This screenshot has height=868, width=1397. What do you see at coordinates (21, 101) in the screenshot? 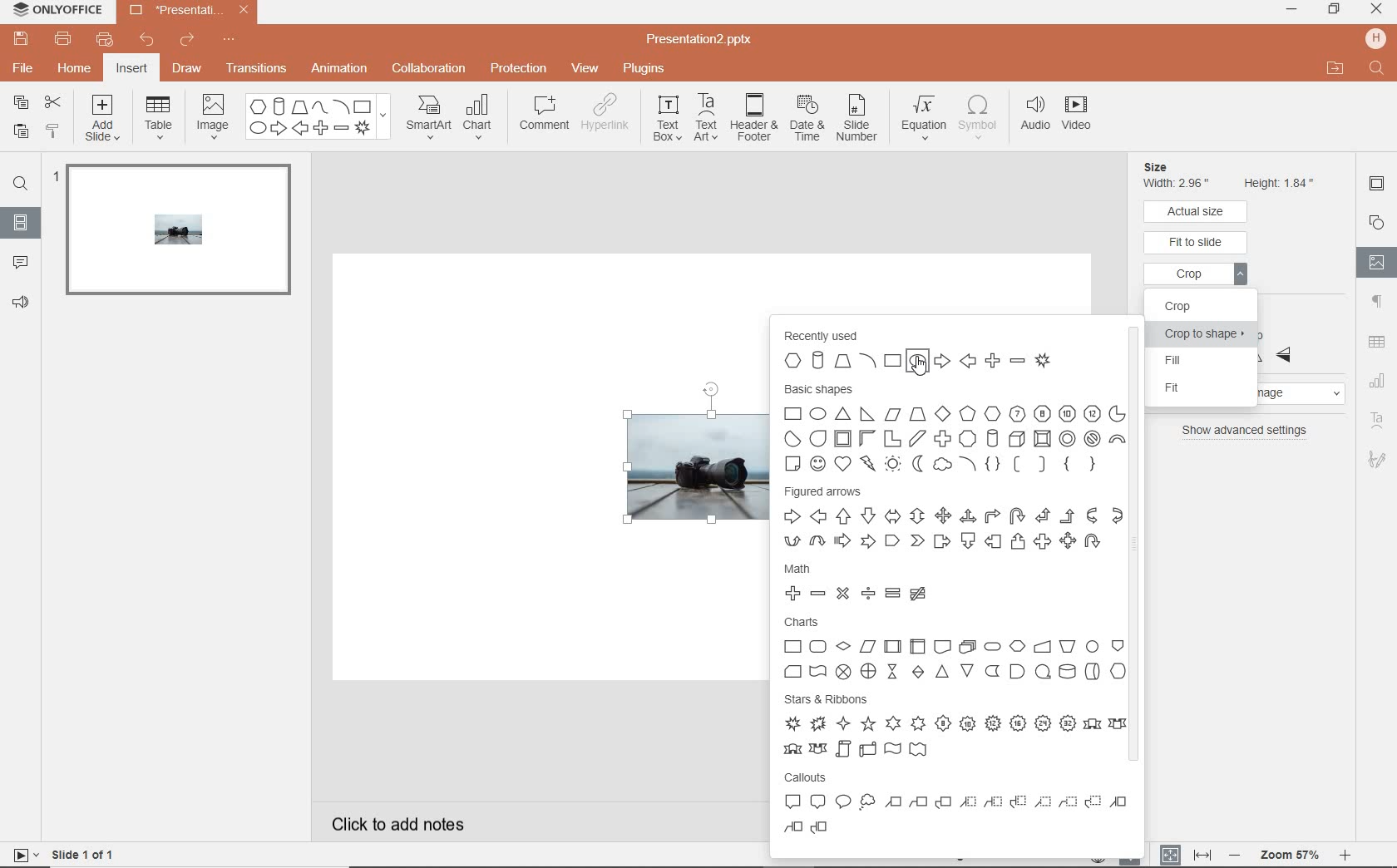
I see `copy` at bounding box center [21, 101].